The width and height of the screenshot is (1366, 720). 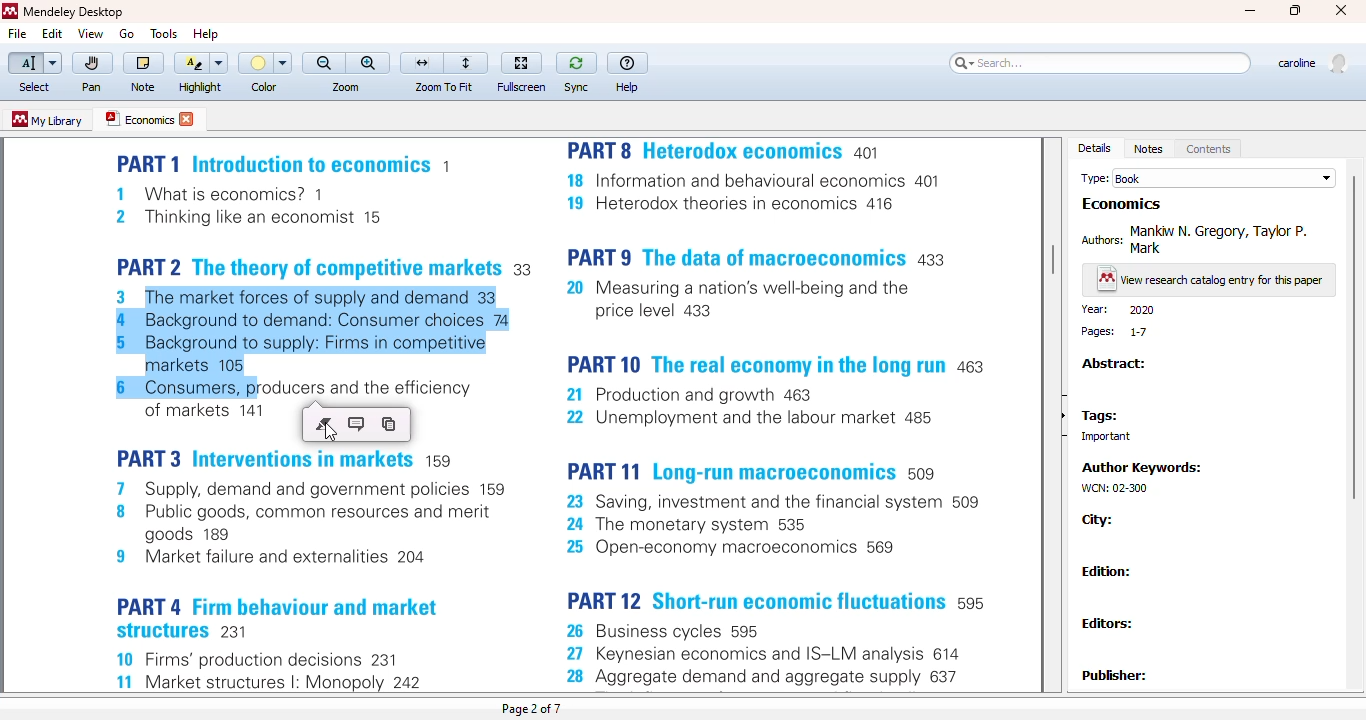 I want to click on pages: 1-7, so click(x=1116, y=332).